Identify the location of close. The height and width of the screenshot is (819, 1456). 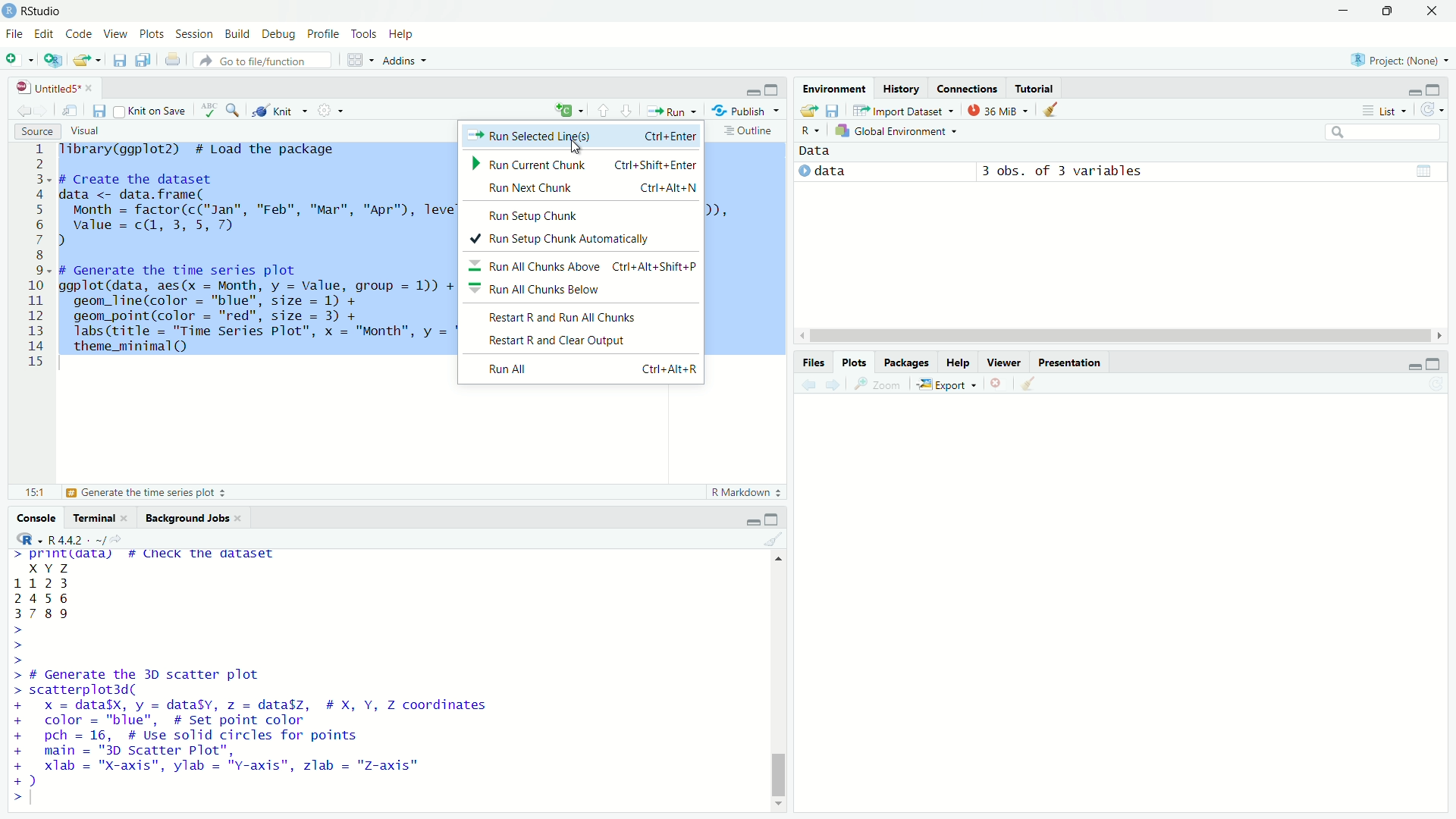
(90, 86).